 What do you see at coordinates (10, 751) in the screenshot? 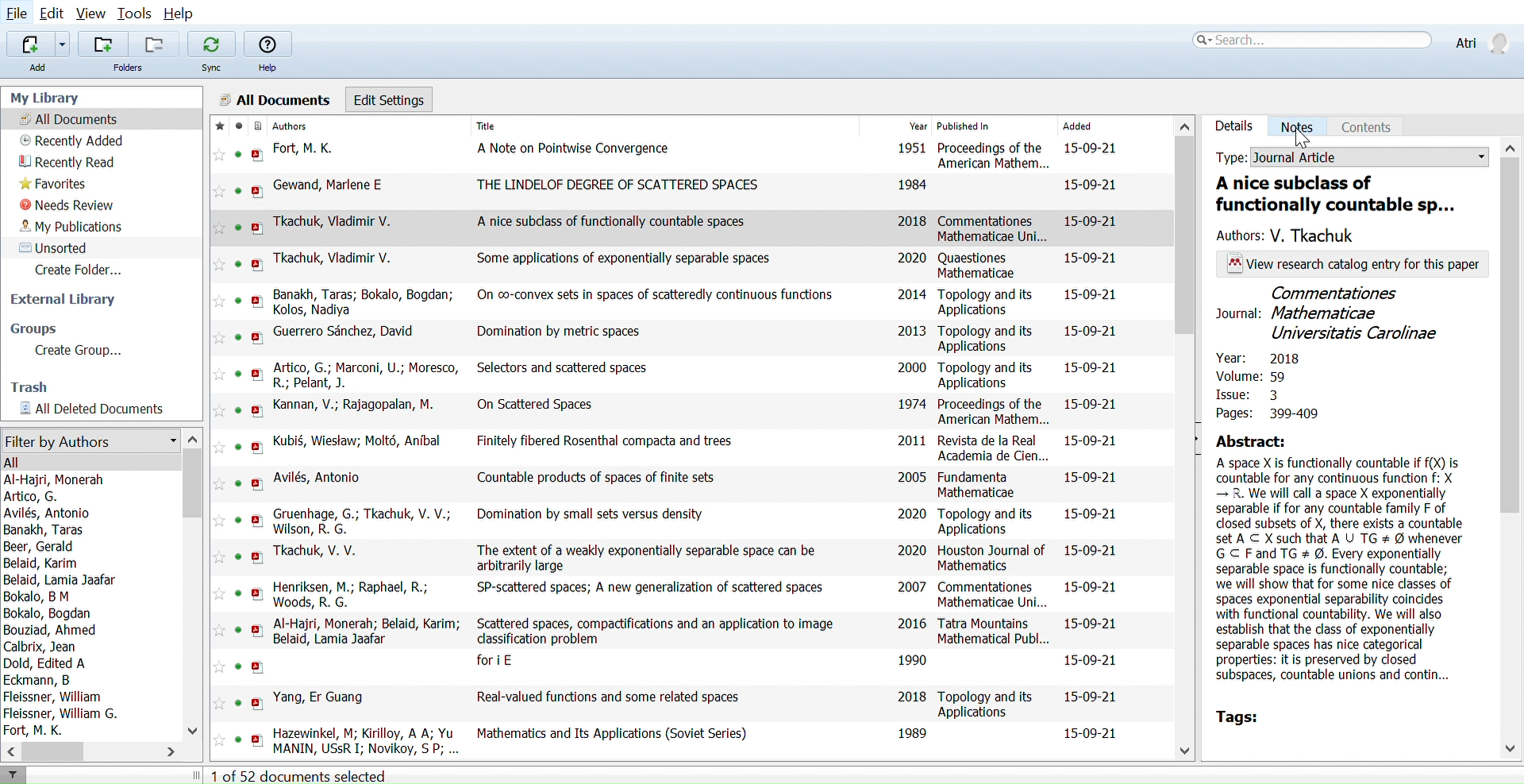
I see `Move left in filter by authors` at bounding box center [10, 751].